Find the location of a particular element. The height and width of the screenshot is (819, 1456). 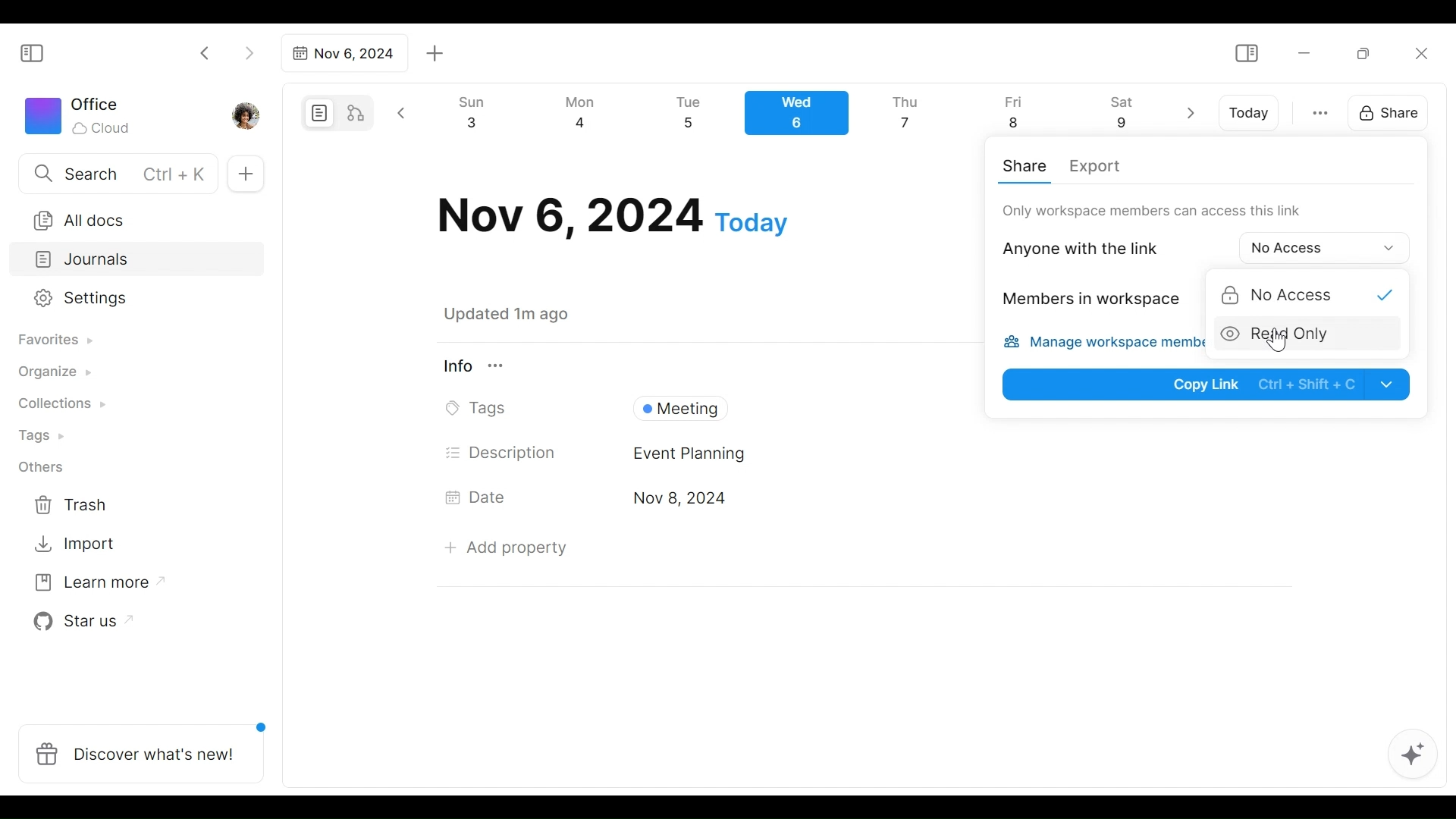

Date's Field is located at coordinates (954, 500).